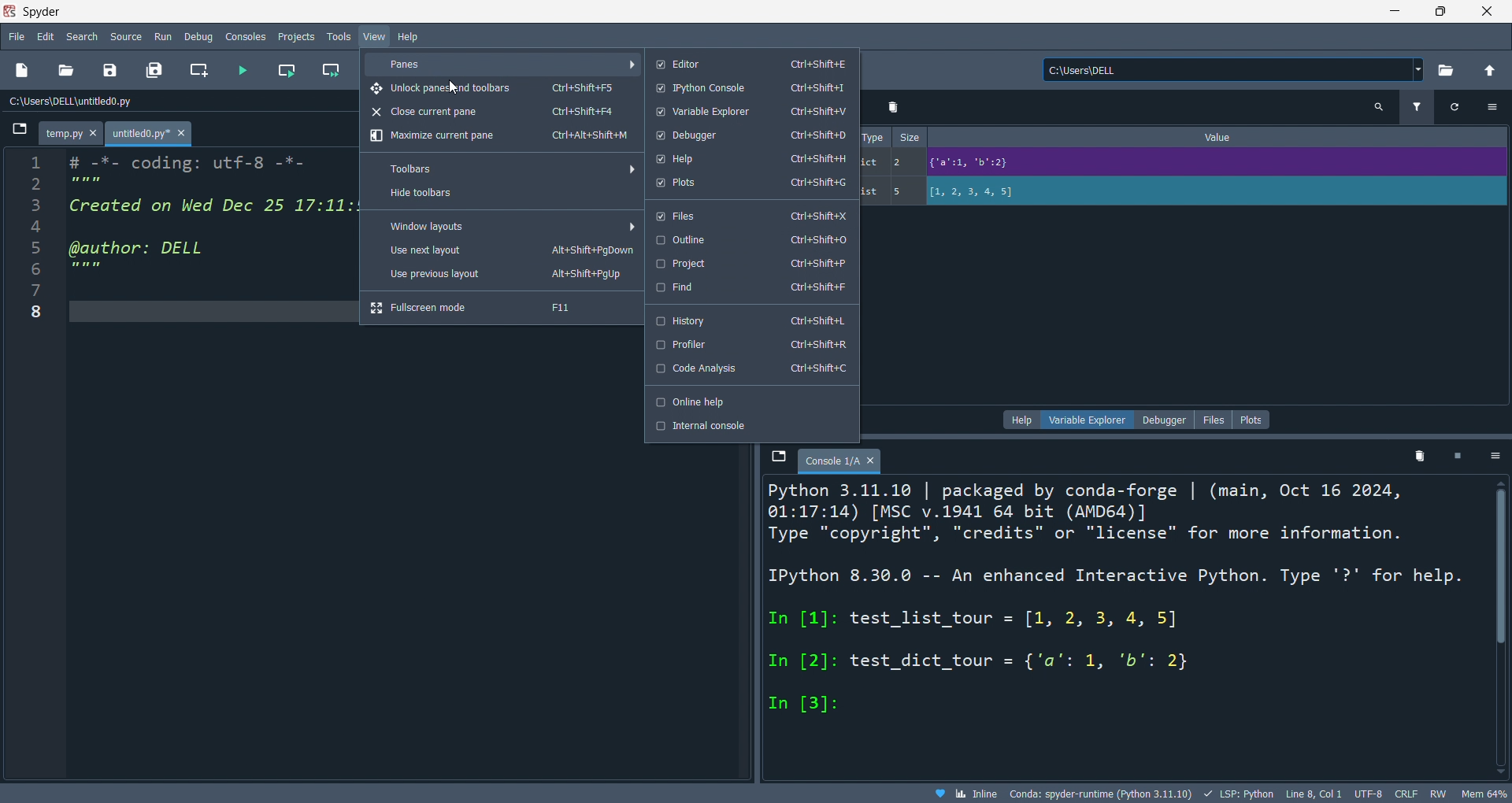 Image resolution: width=1512 pixels, height=803 pixels. Describe the element at coordinates (496, 113) in the screenshot. I see `close current pane` at that location.